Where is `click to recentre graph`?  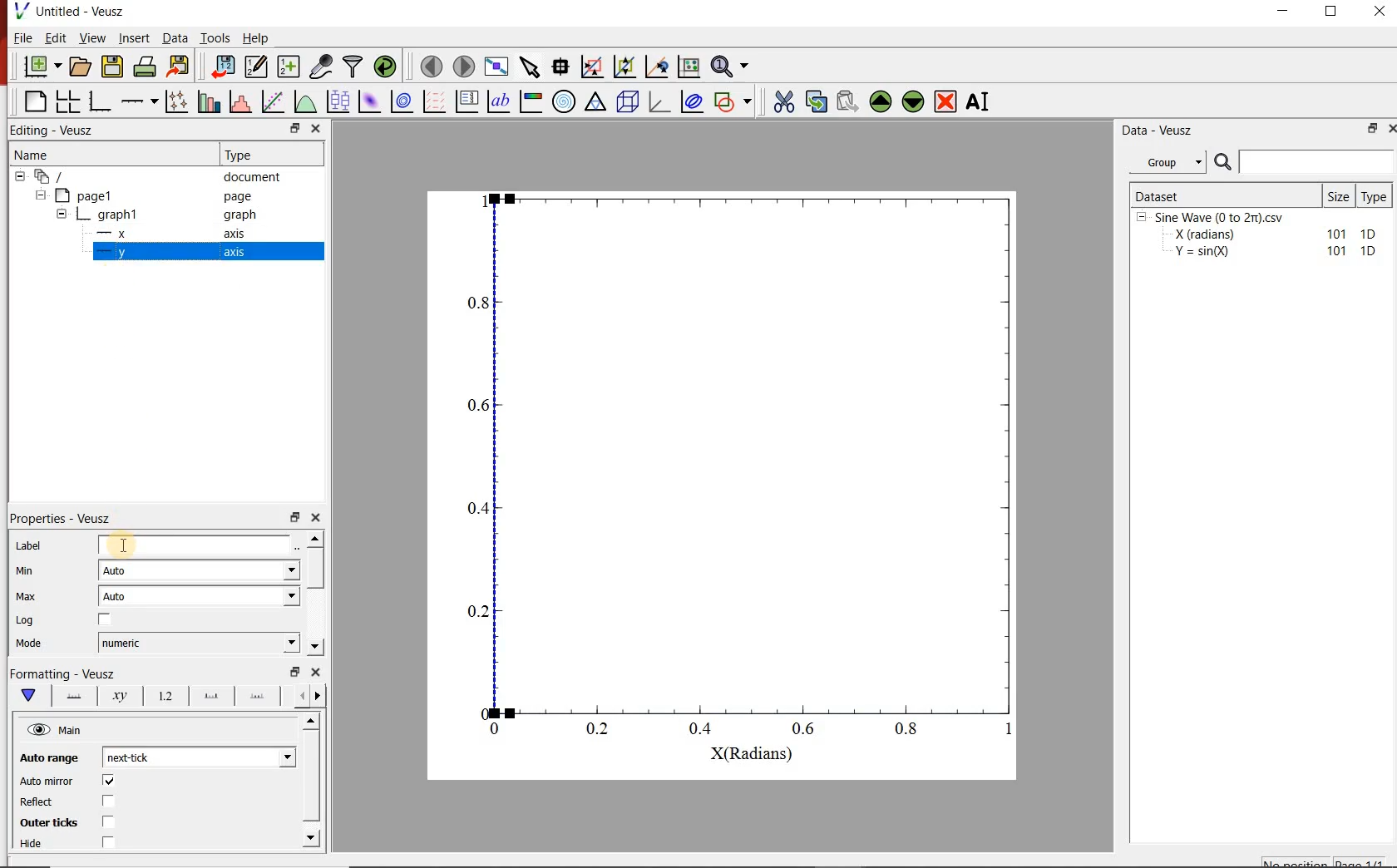
click to recentre graph is located at coordinates (657, 64).